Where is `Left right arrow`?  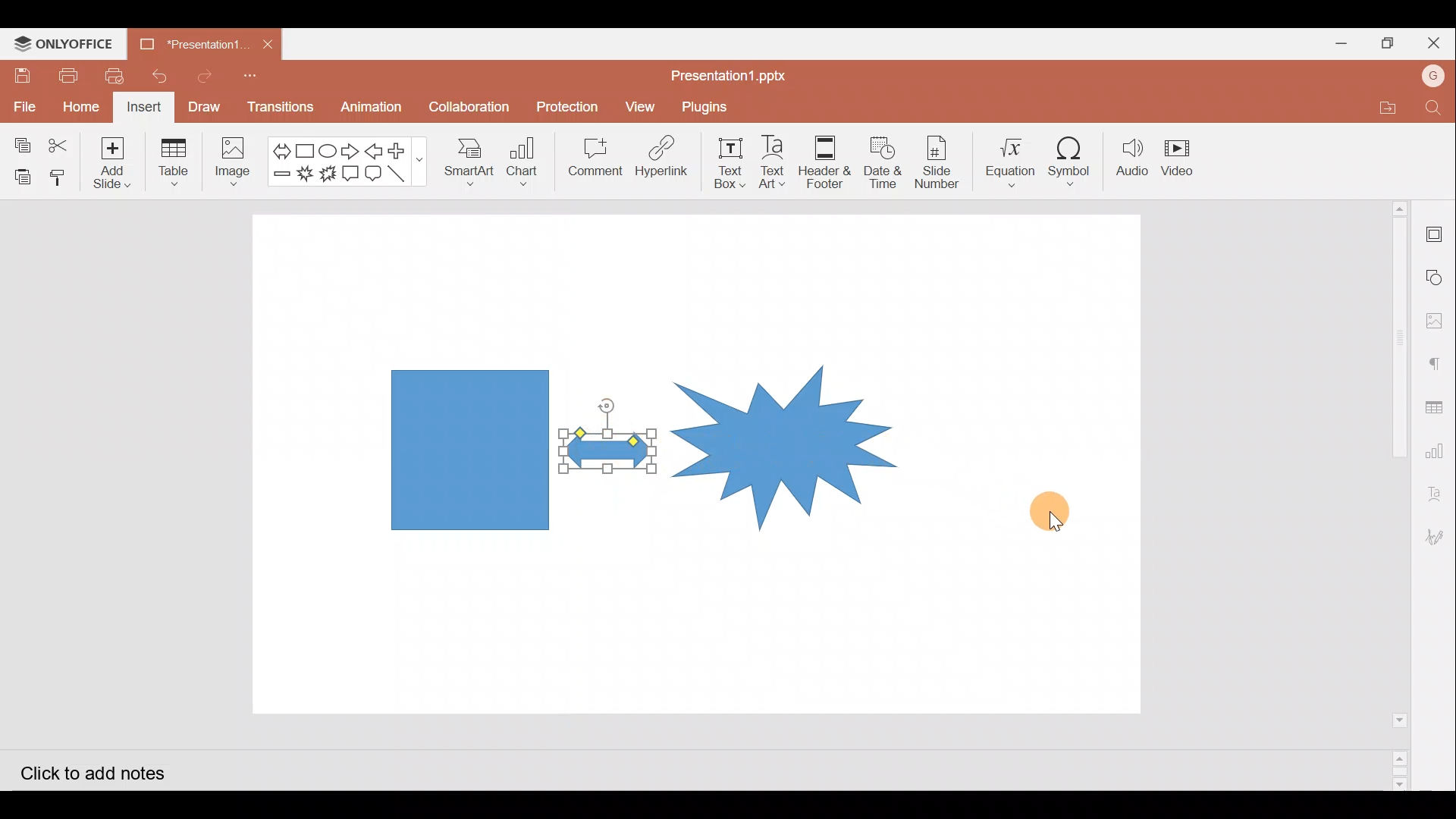
Left right arrow is located at coordinates (277, 148).